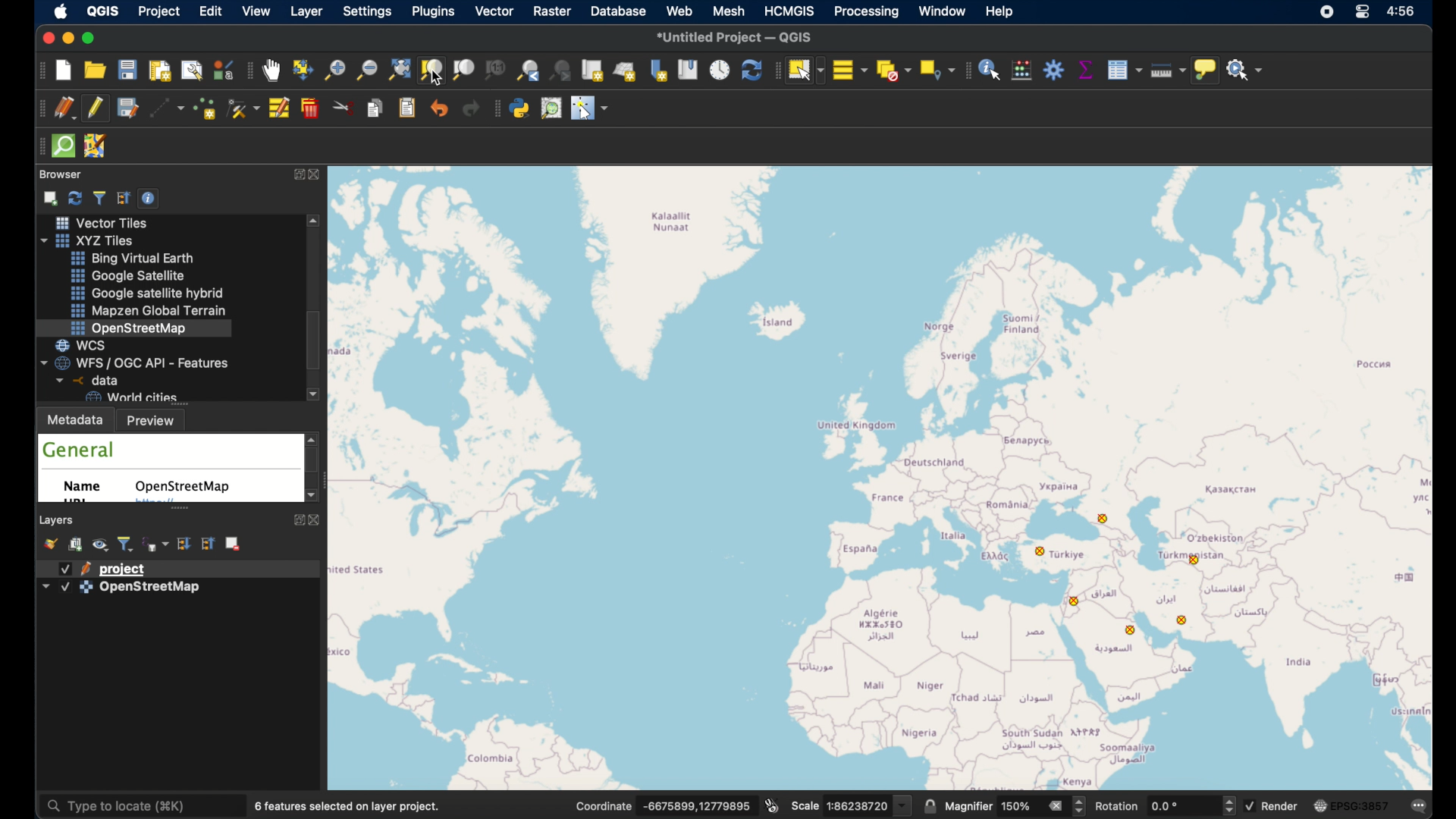 The image size is (1456, 819). I want to click on enable/disbale properties widget, so click(151, 197).